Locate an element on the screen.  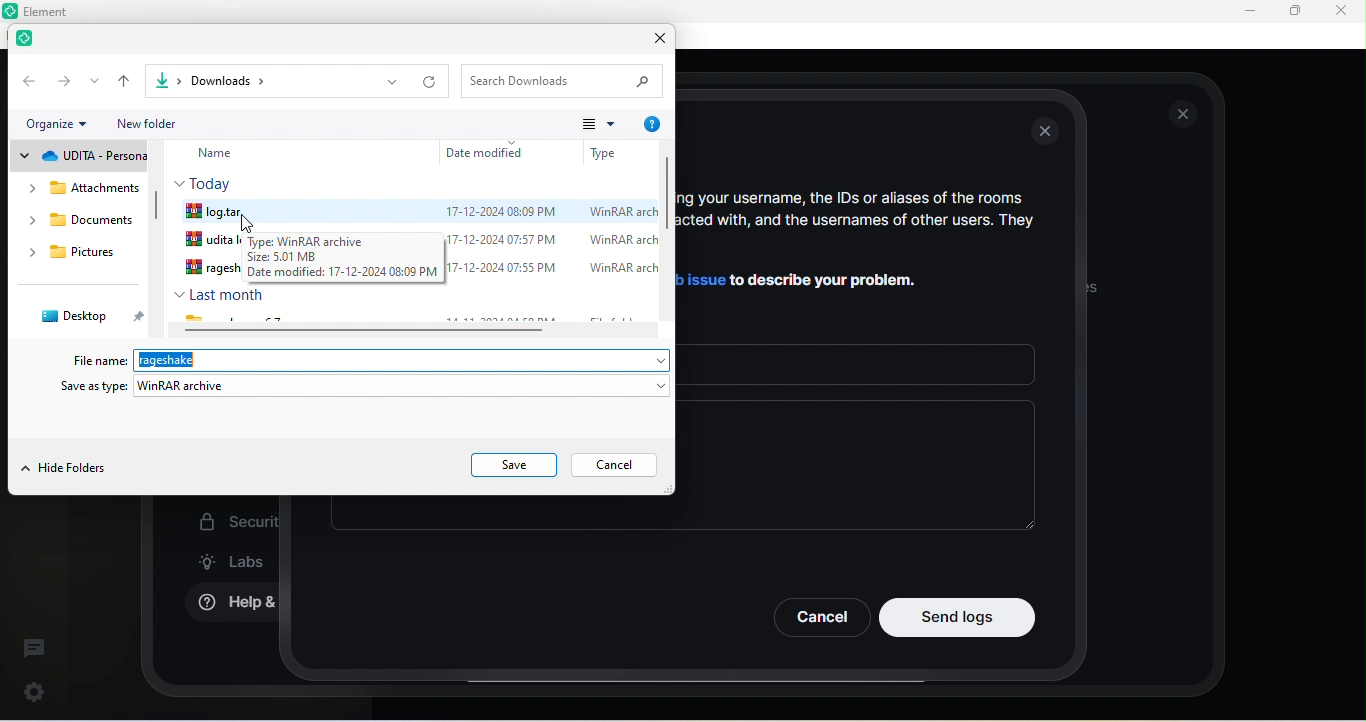
udita personal is located at coordinates (80, 156).